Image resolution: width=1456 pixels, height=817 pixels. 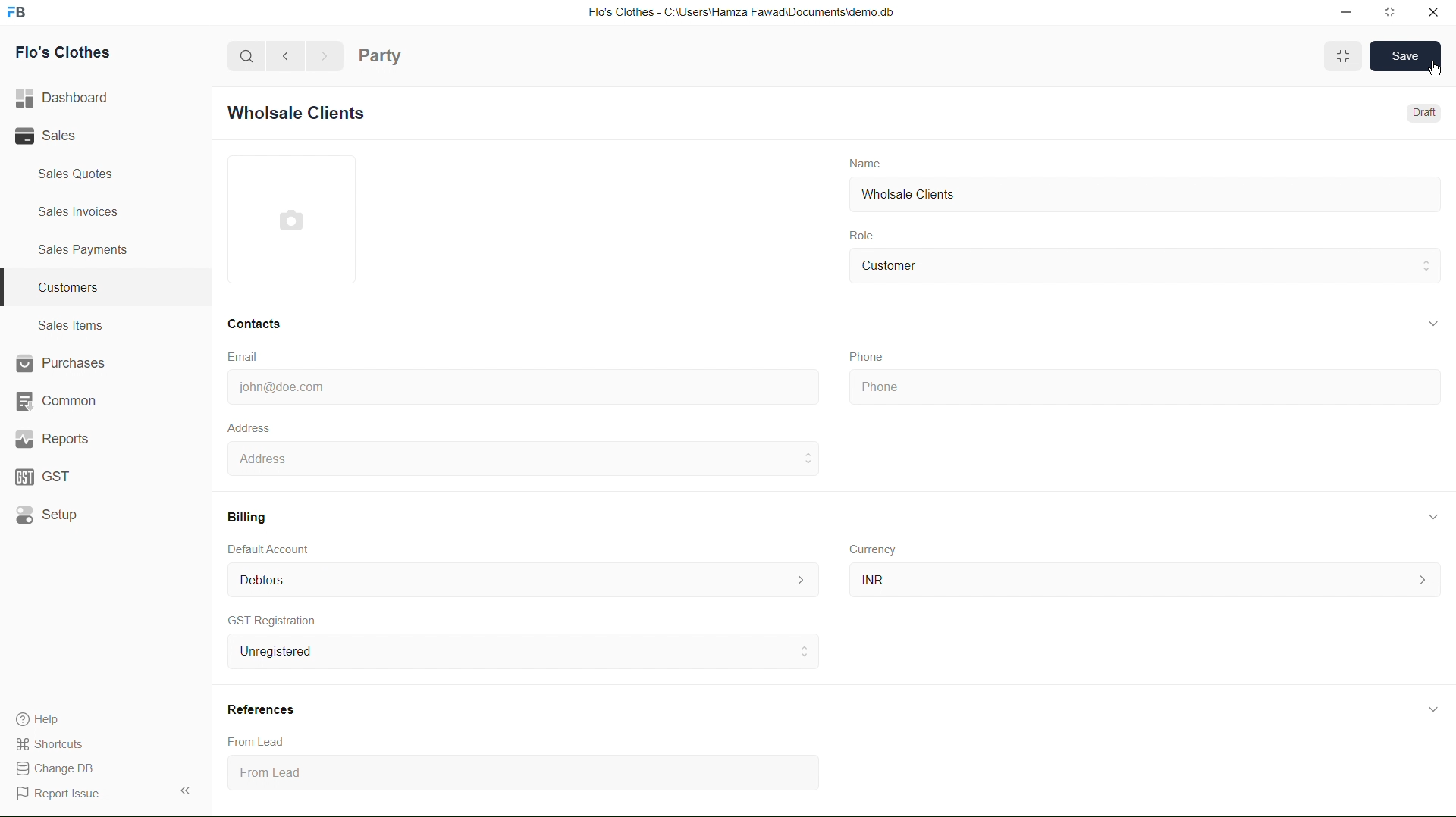 I want to click on next, so click(x=327, y=57).